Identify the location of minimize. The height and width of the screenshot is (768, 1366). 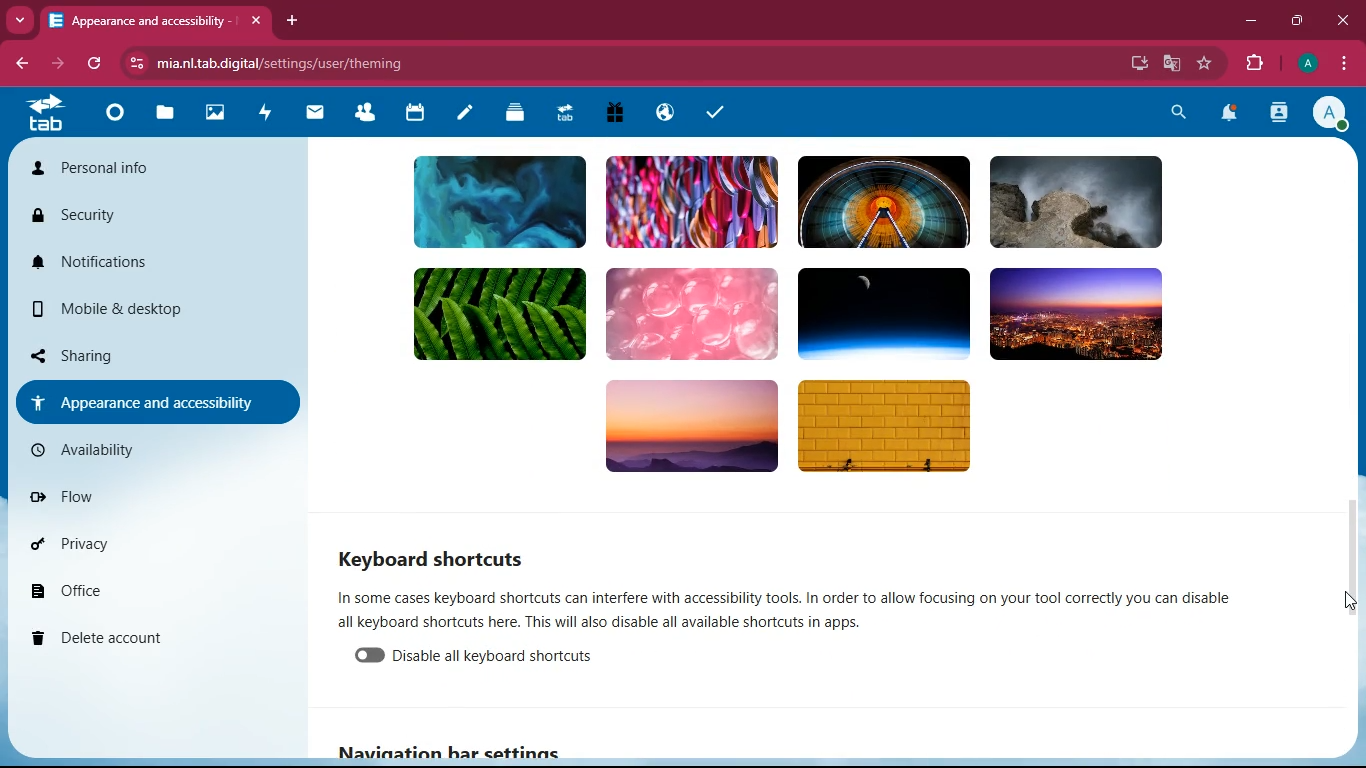
(1247, 23).